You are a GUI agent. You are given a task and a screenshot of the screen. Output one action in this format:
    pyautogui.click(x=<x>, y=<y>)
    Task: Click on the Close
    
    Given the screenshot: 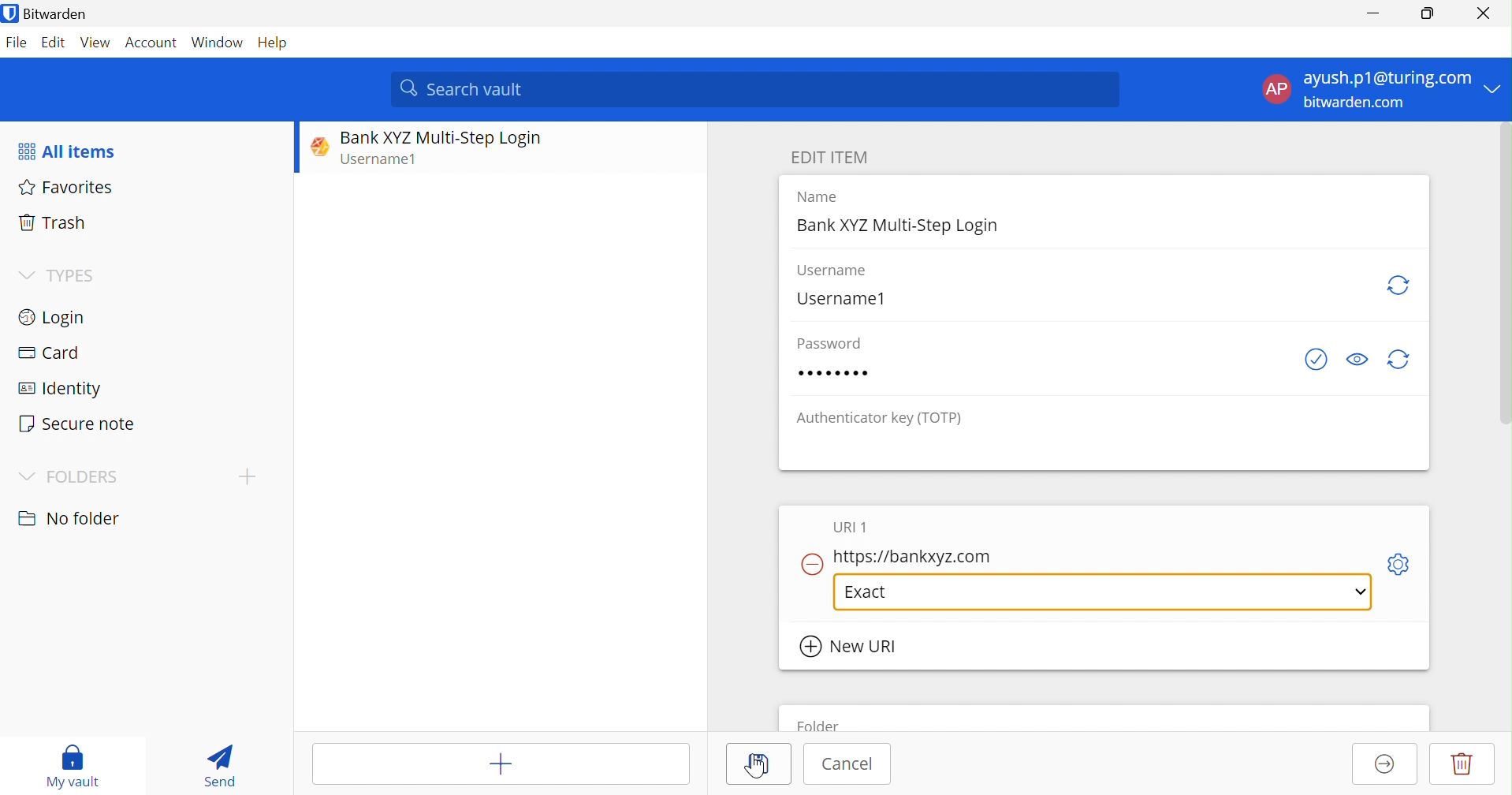 What is the action you would take?
    pyautogui.click(x=1487, y=13)
    